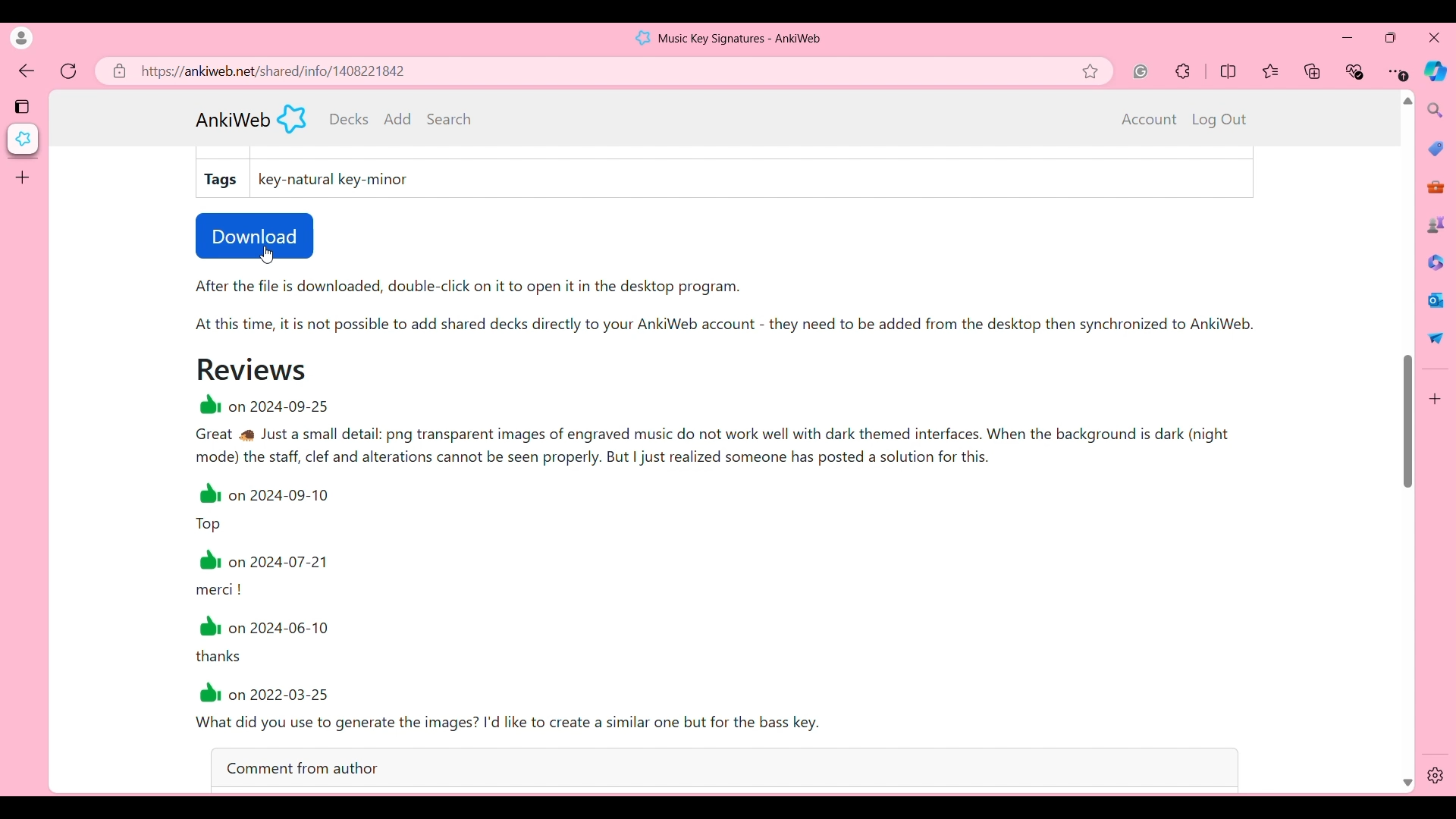  Describe the element at coordinates (255, 236) in the screenshot. I see `Download` at that location.